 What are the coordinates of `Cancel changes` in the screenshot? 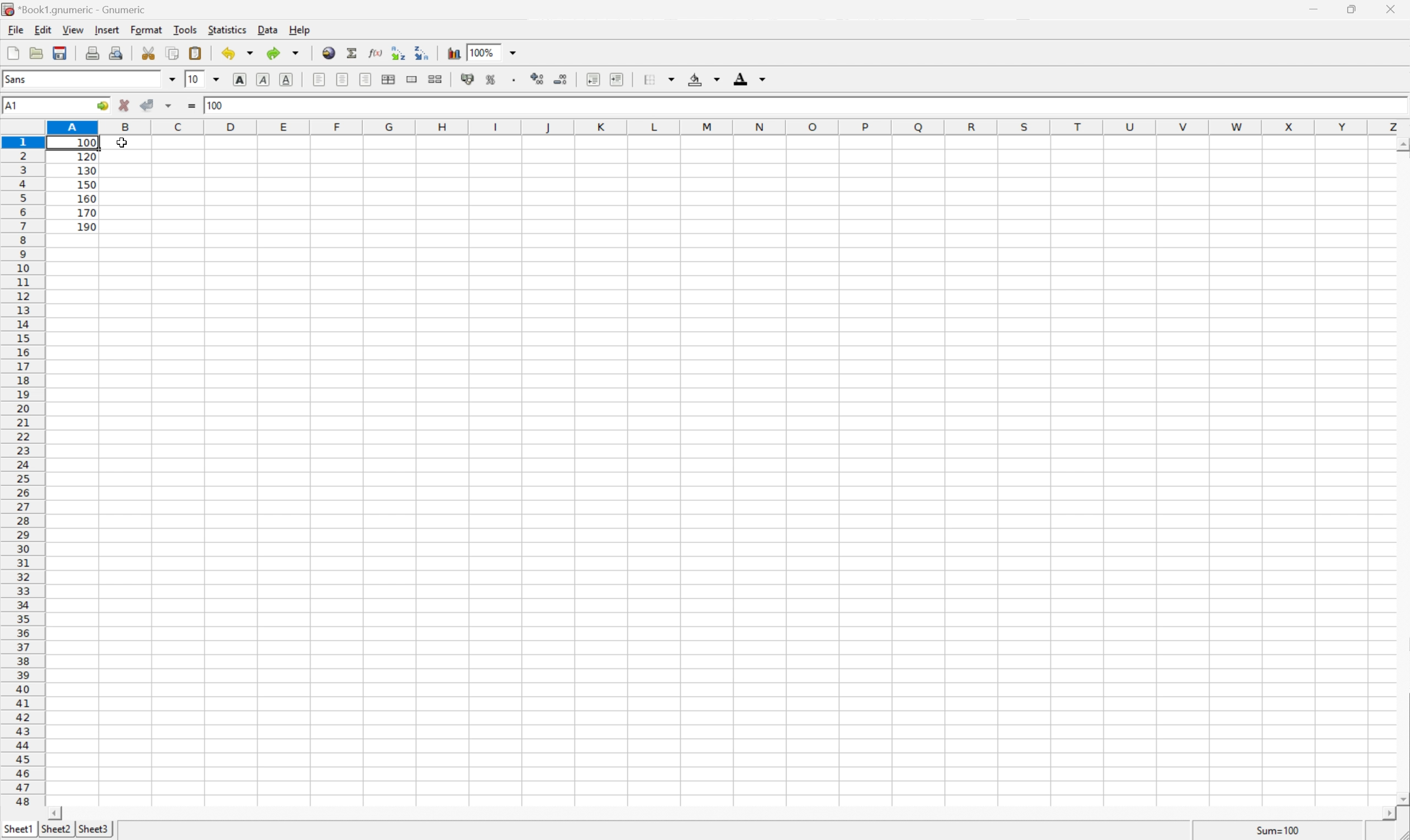 It's located at (127, 105).